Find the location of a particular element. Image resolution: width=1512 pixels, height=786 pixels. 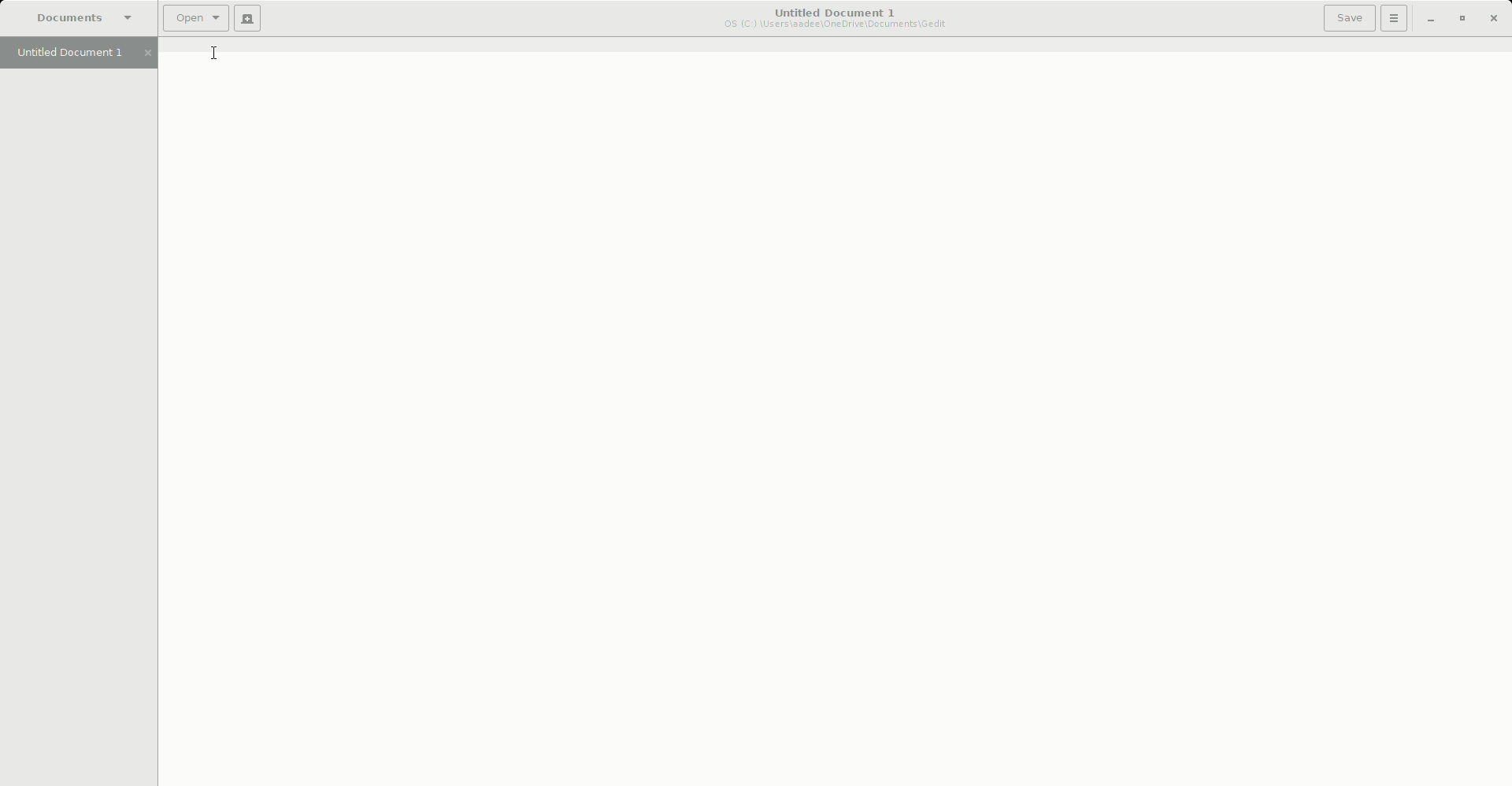

Minimize is located at coordinates (1429, 20).